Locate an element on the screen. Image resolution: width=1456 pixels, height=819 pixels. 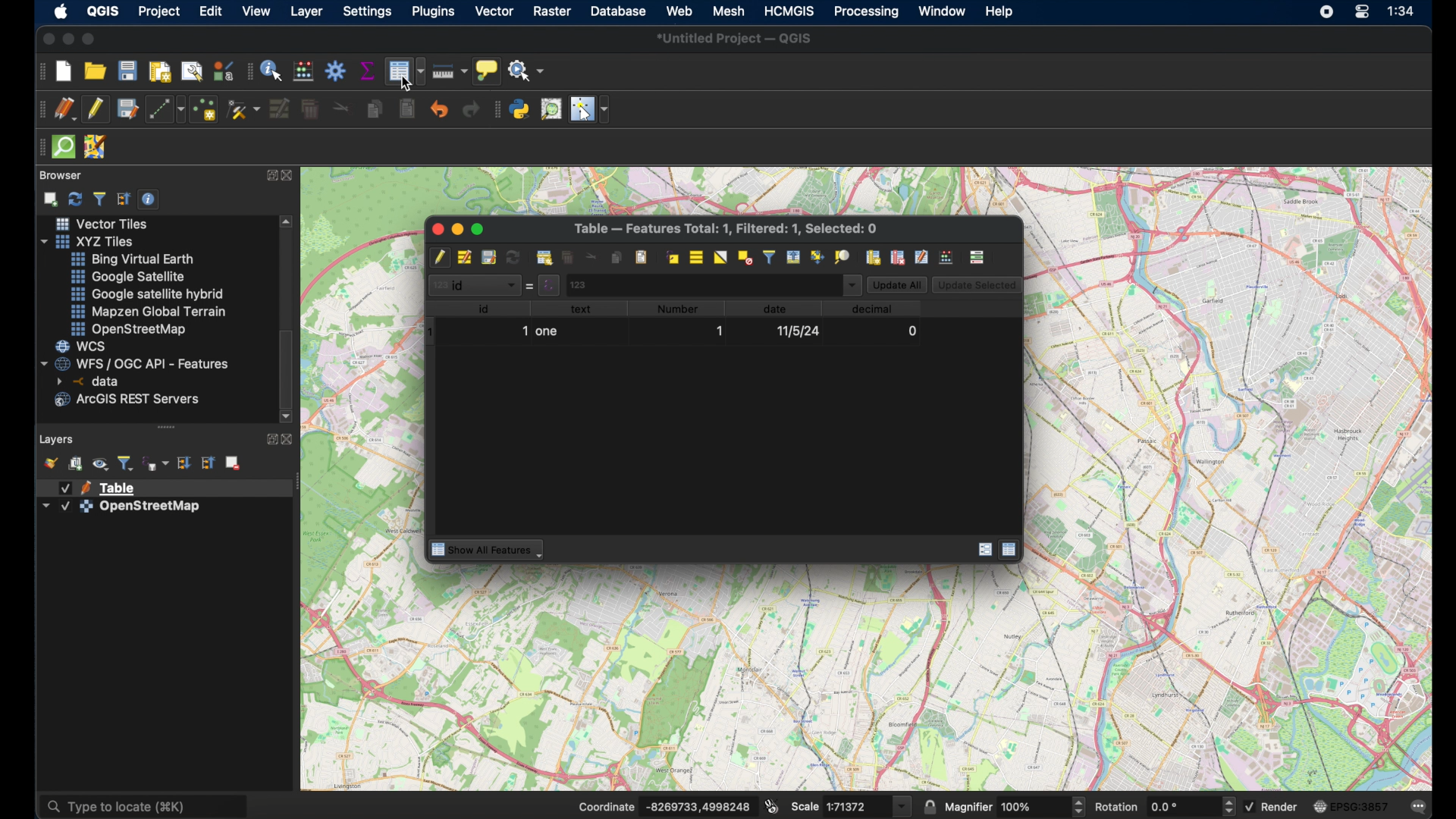
 is located at coordinates (901, 806).